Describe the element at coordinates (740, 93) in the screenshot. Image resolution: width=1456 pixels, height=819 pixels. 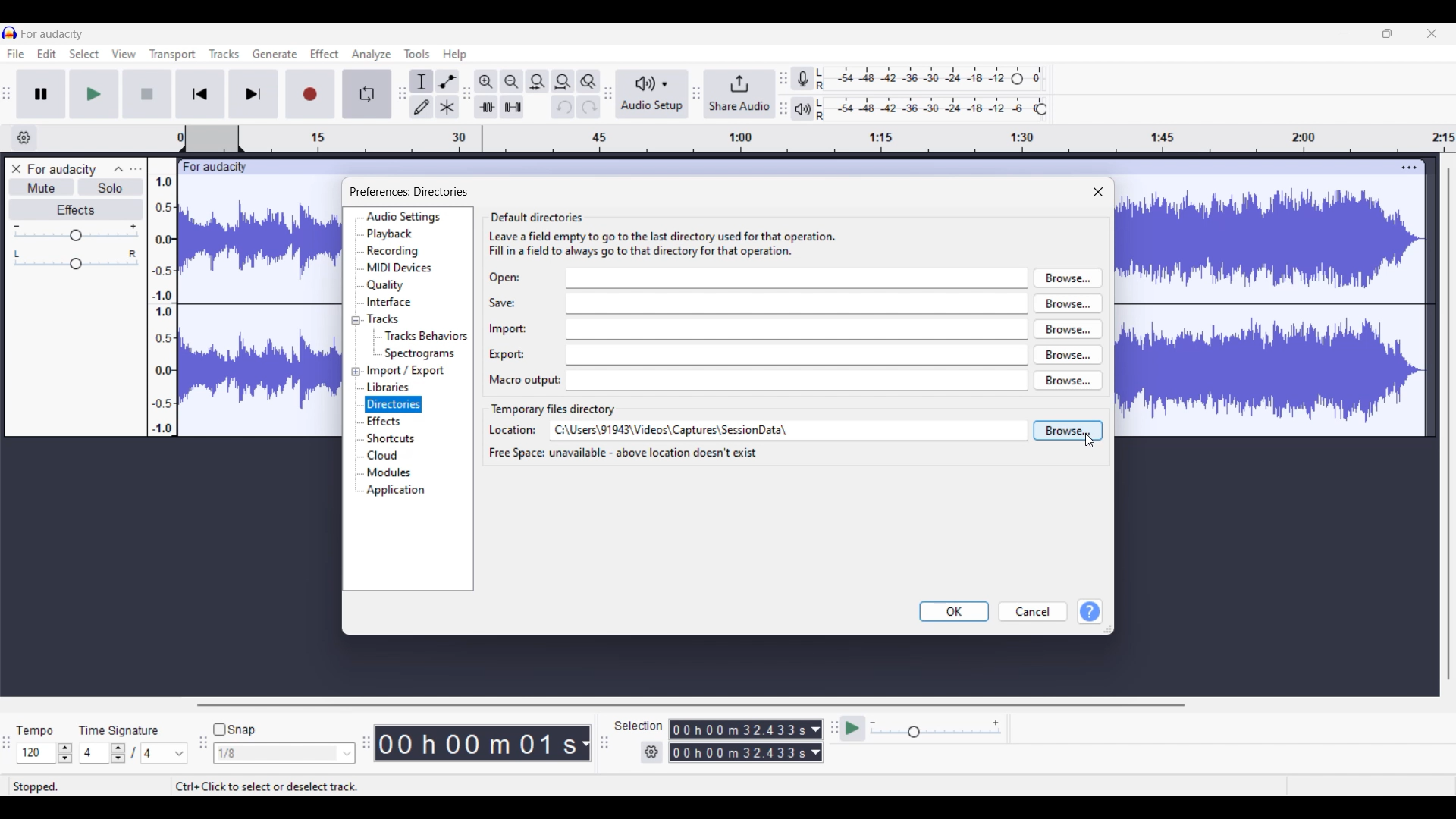
I see `Share audio` at that location.